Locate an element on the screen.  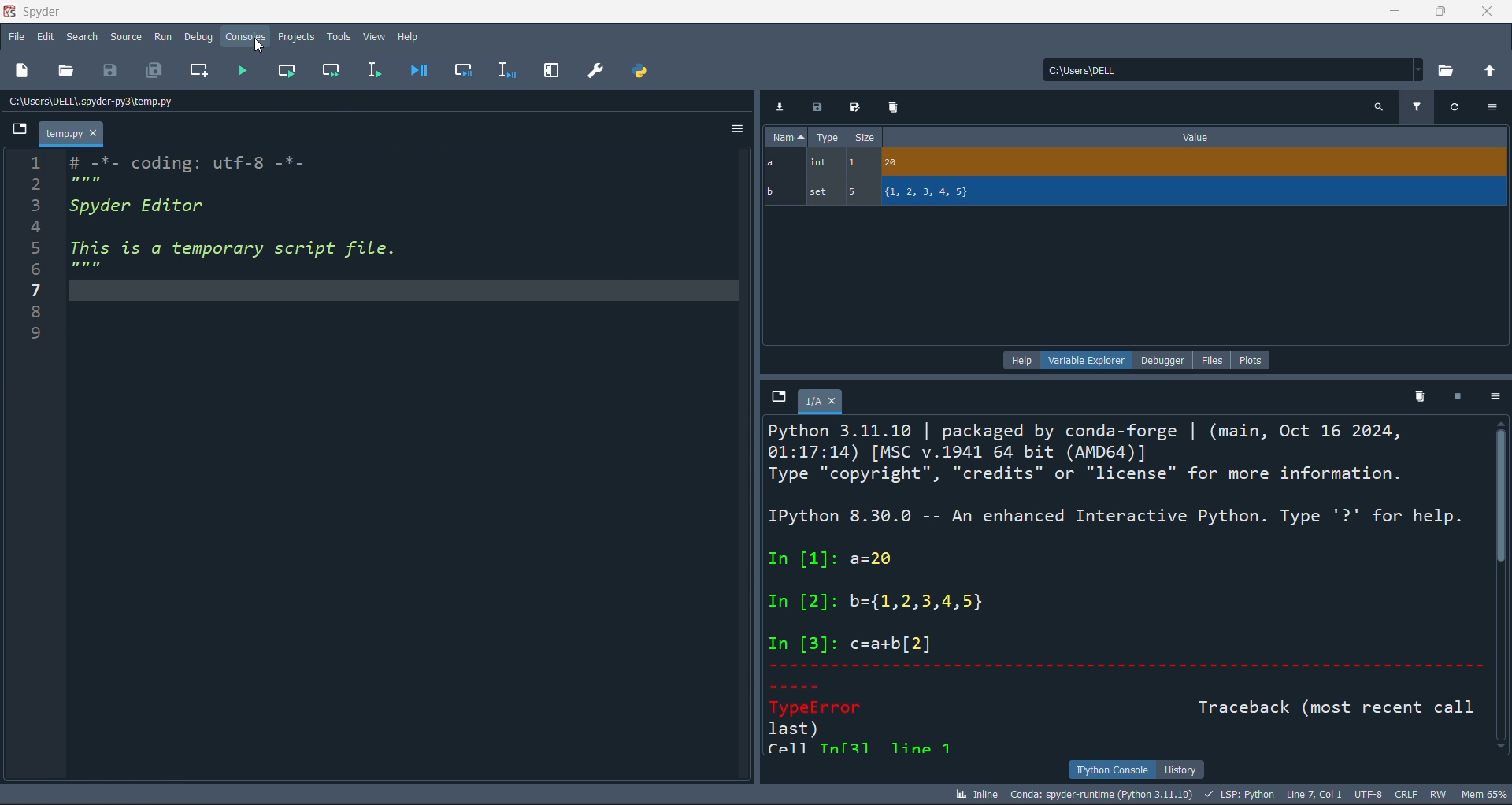
delete is located at coordinates (895, 107).